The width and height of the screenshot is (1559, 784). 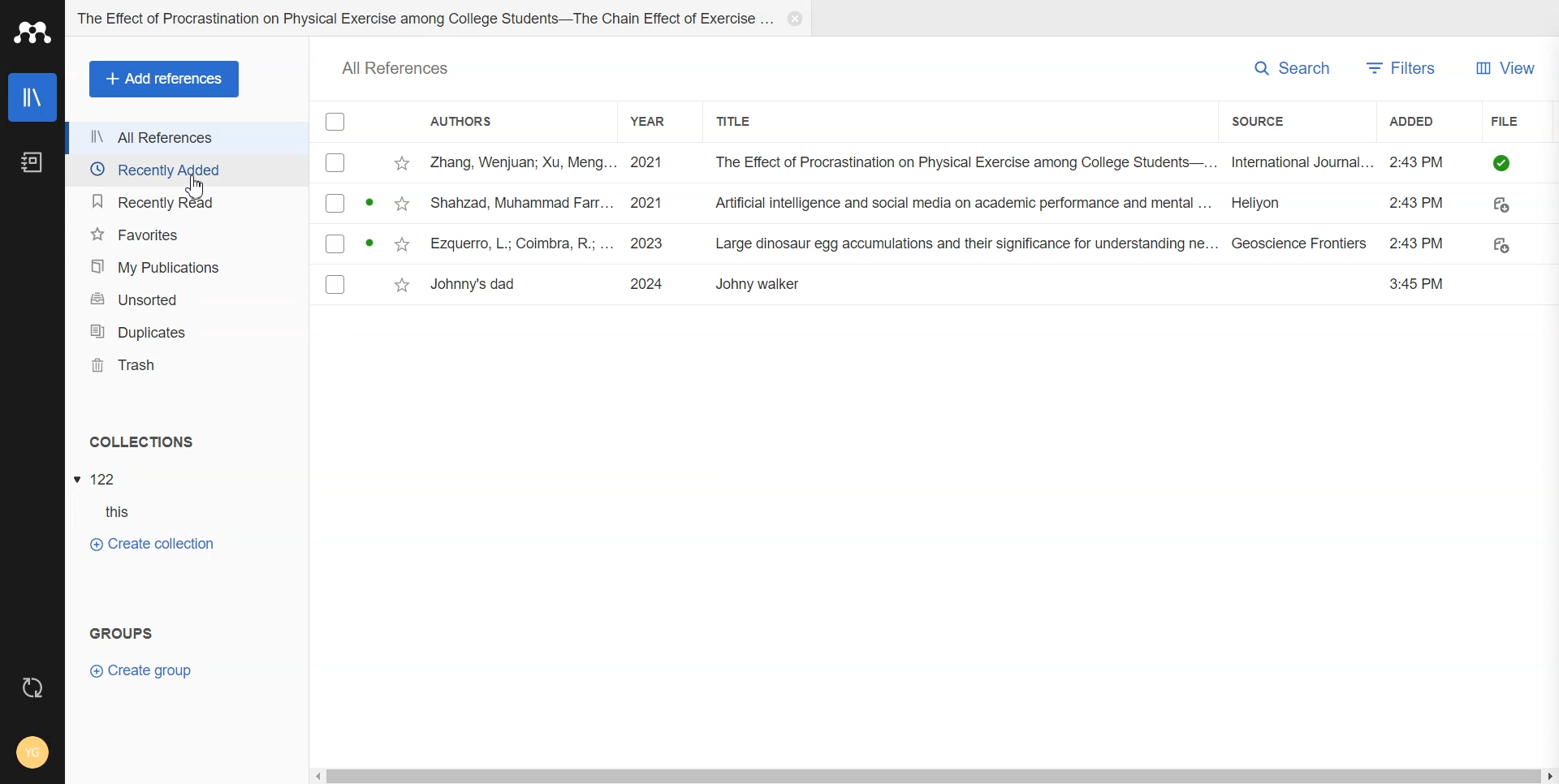 What do you see at coordinates (184, 235) in the screenshot?
I see `Favorites` at bounding box center [184, 235].